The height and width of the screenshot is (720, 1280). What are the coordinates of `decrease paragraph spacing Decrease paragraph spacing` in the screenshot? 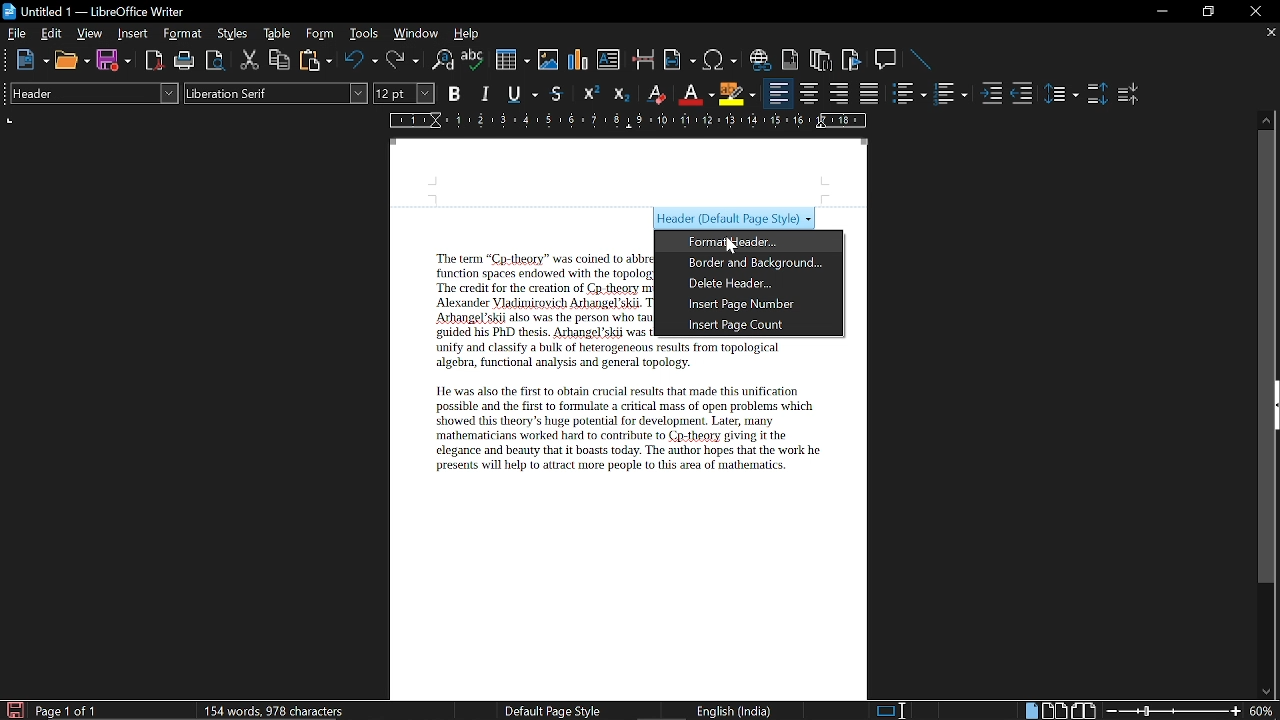 It's located at (1130, 93).